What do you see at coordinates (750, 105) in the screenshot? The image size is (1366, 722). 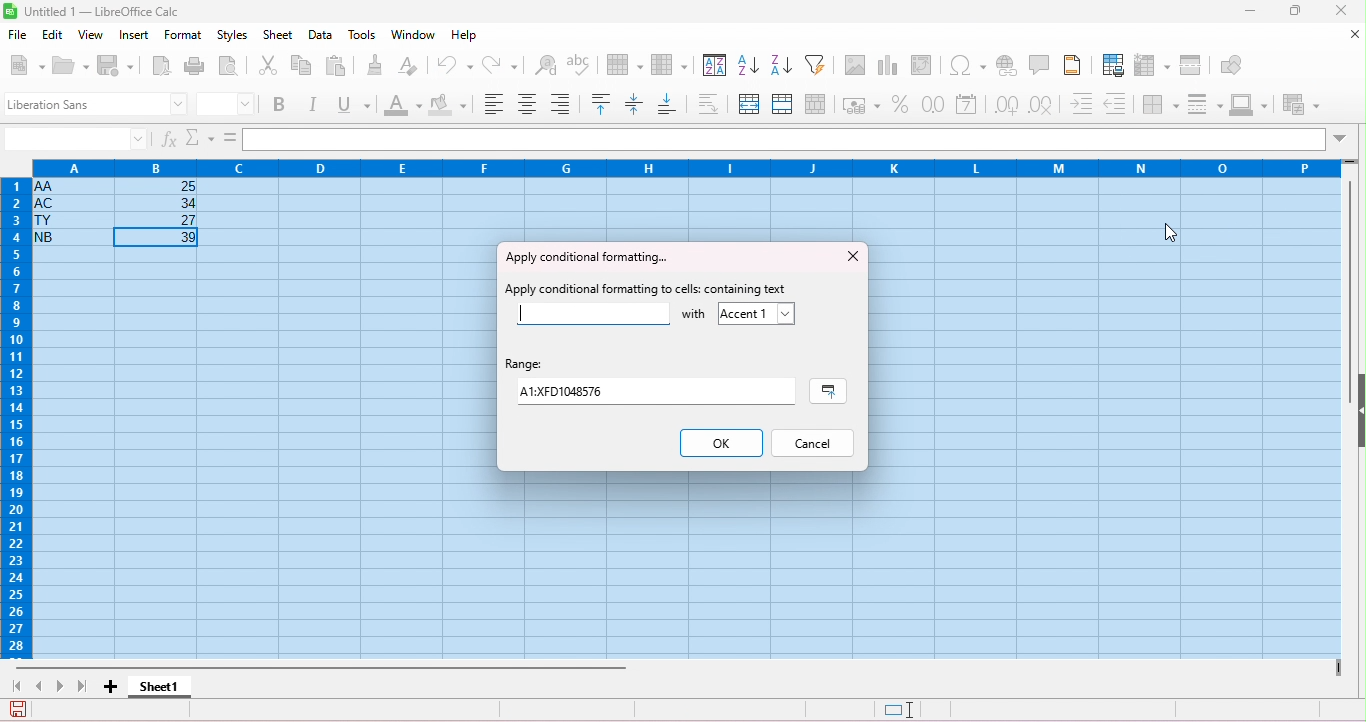 I see `merge and center` at bounding box center [750, 105].